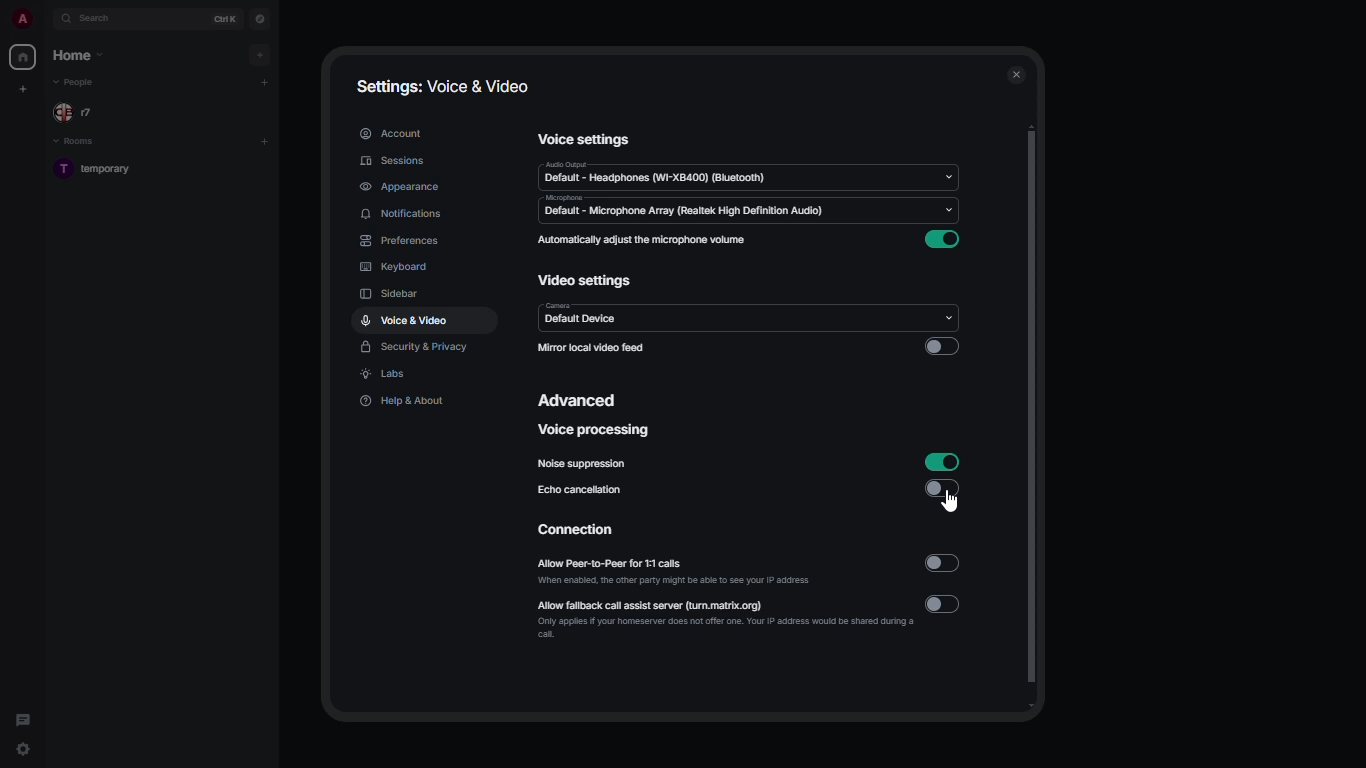  Describe the element at coordinates (588, 139) in the screenshot. I see `voice settings` at that location.